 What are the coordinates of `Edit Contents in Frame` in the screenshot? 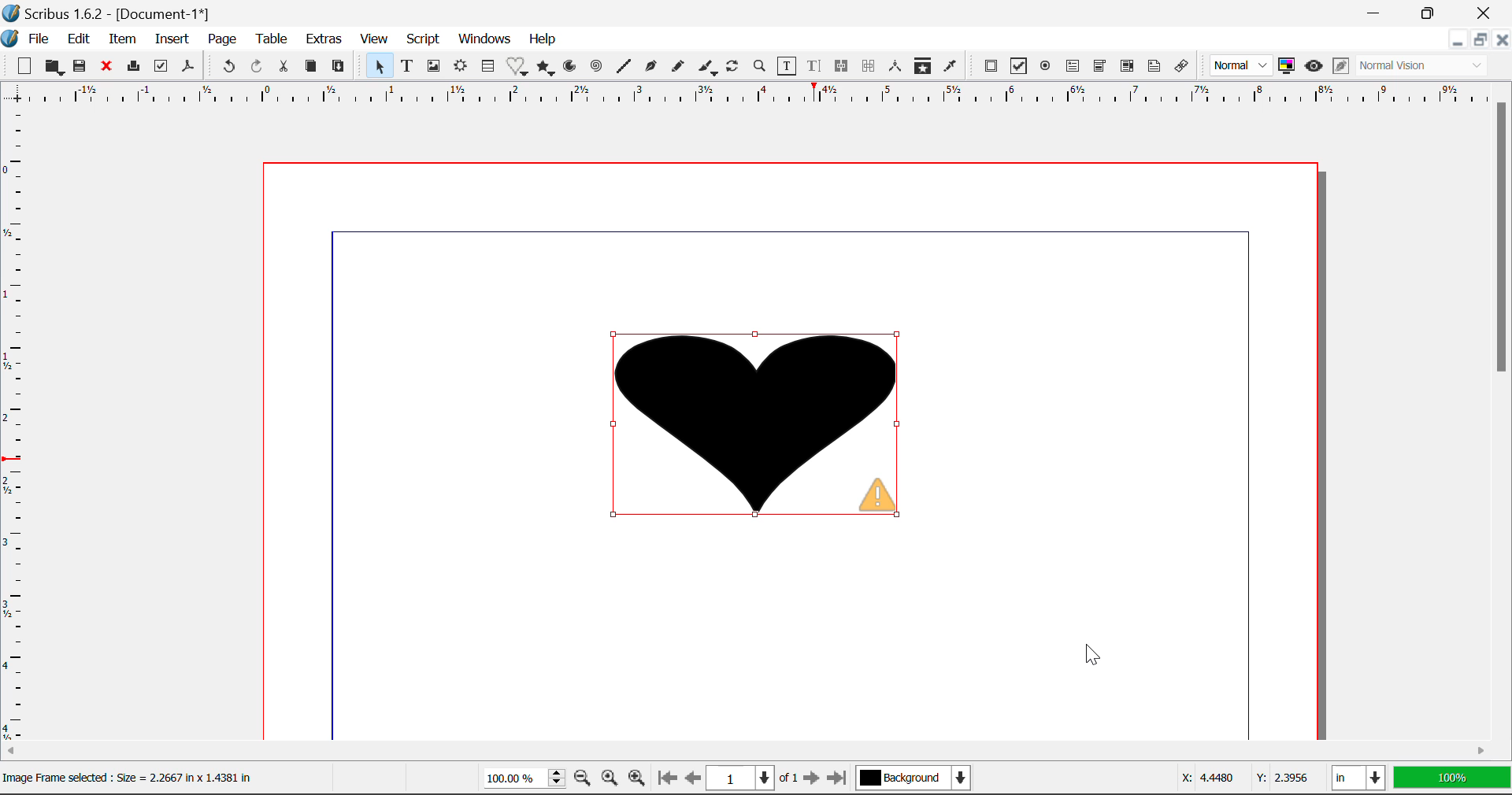 It's located at (788, 66).